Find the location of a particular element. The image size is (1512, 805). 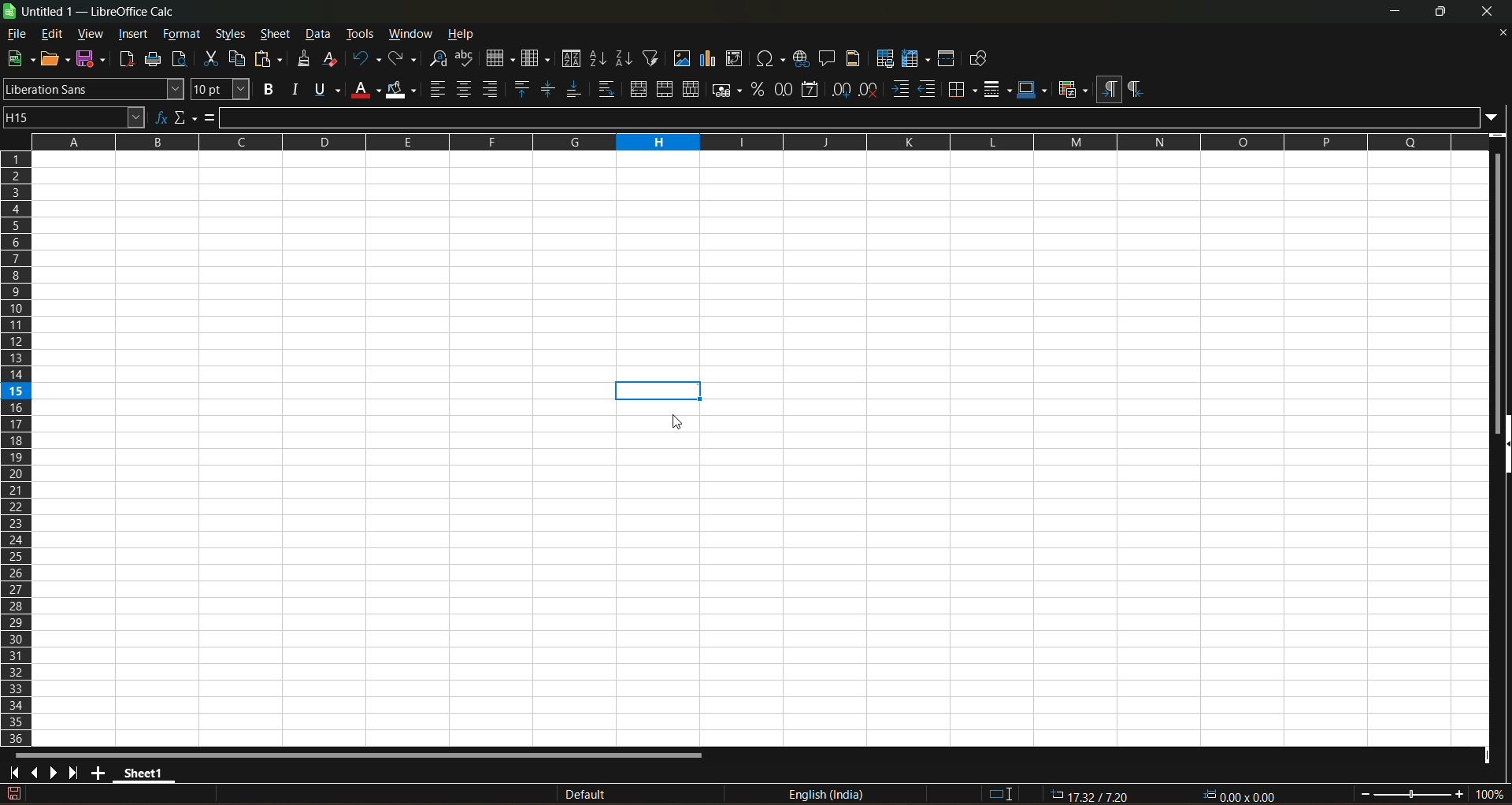

undo is located at coordinates (368, 60).